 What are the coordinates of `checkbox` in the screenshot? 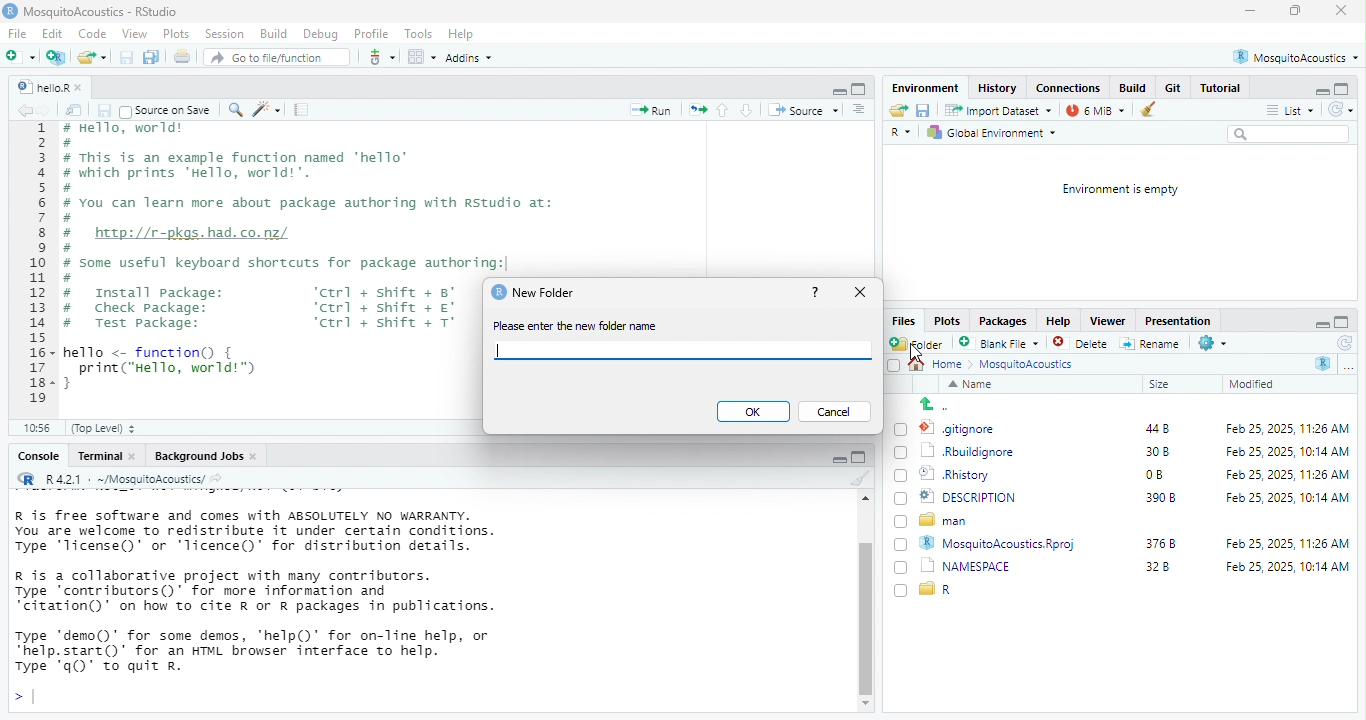 It's located at (903, 568).